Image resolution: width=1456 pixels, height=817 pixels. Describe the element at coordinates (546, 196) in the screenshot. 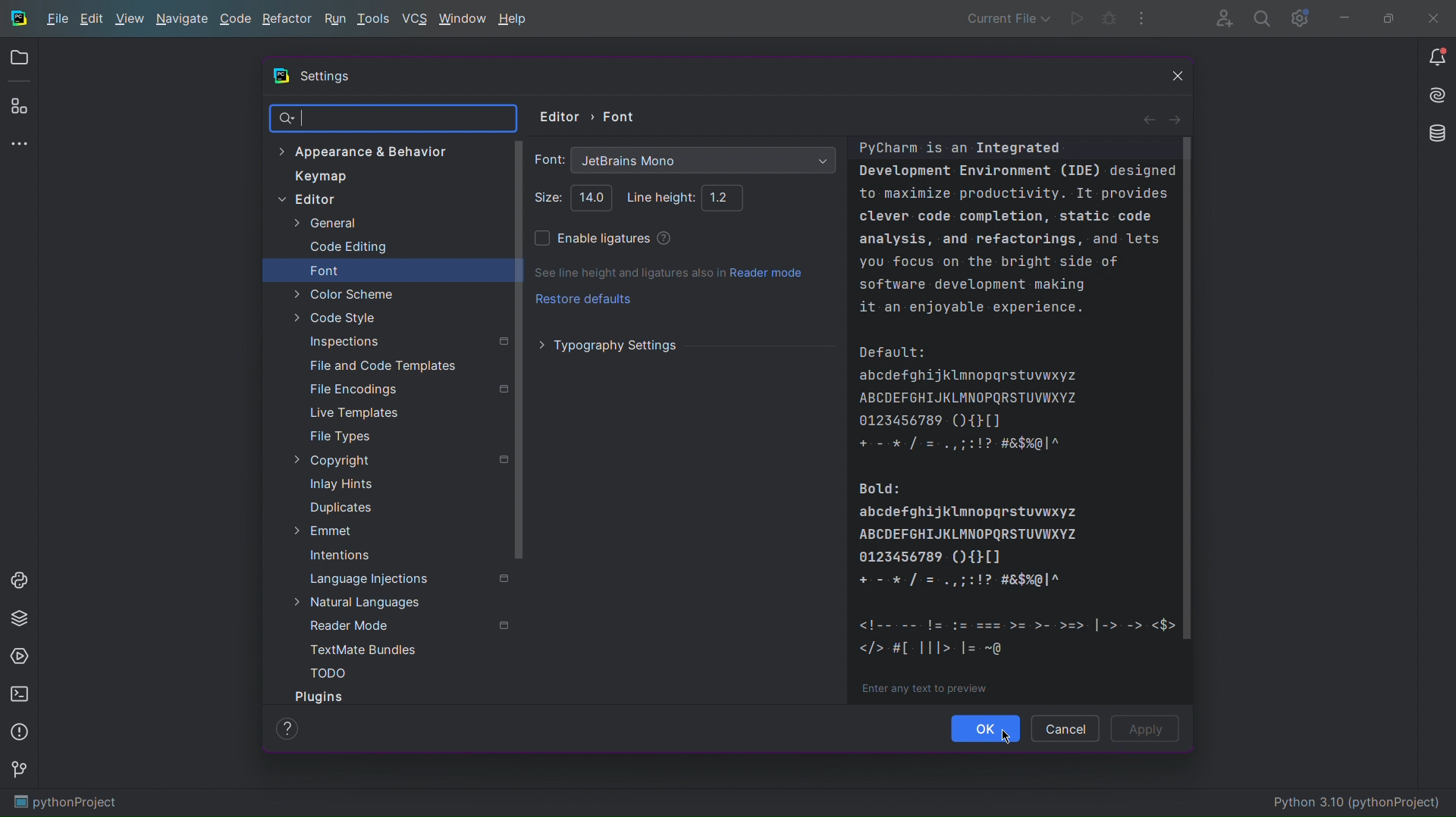

I see `Size` at that location.